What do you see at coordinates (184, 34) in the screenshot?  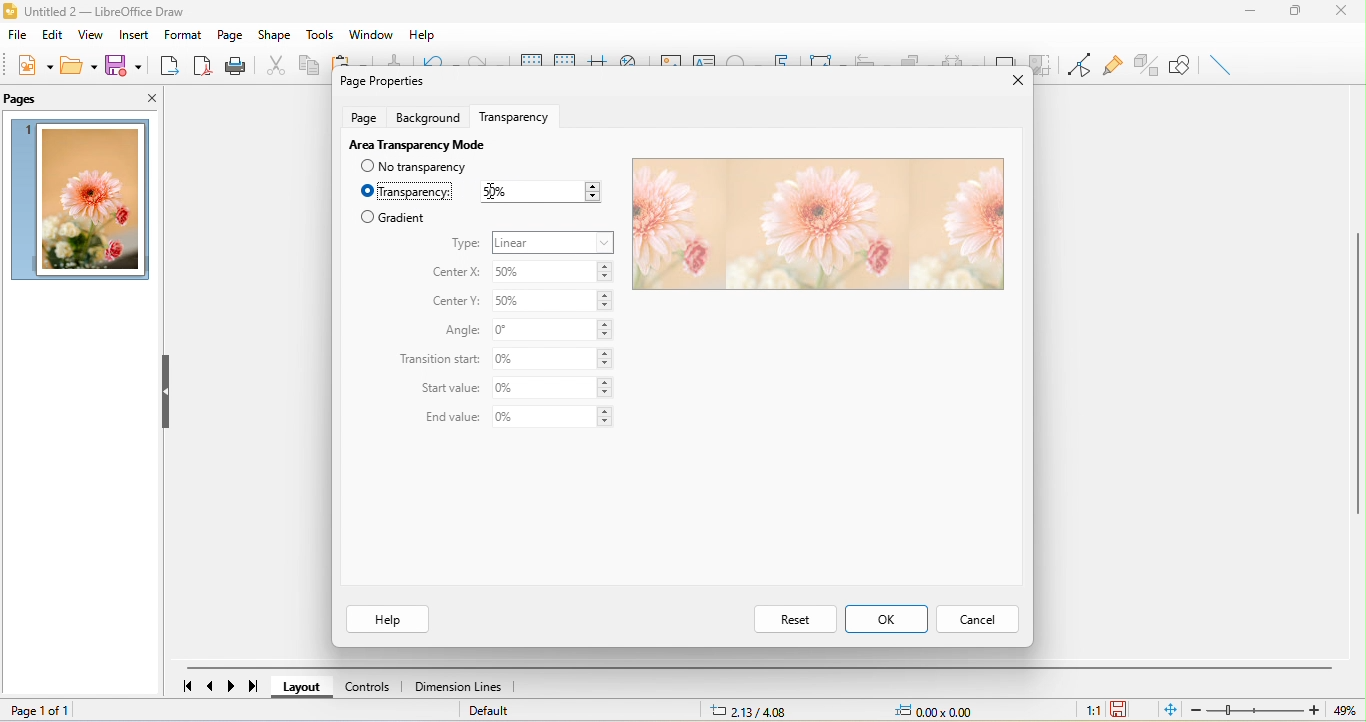 I see `format` at bounding box center [184, 34].